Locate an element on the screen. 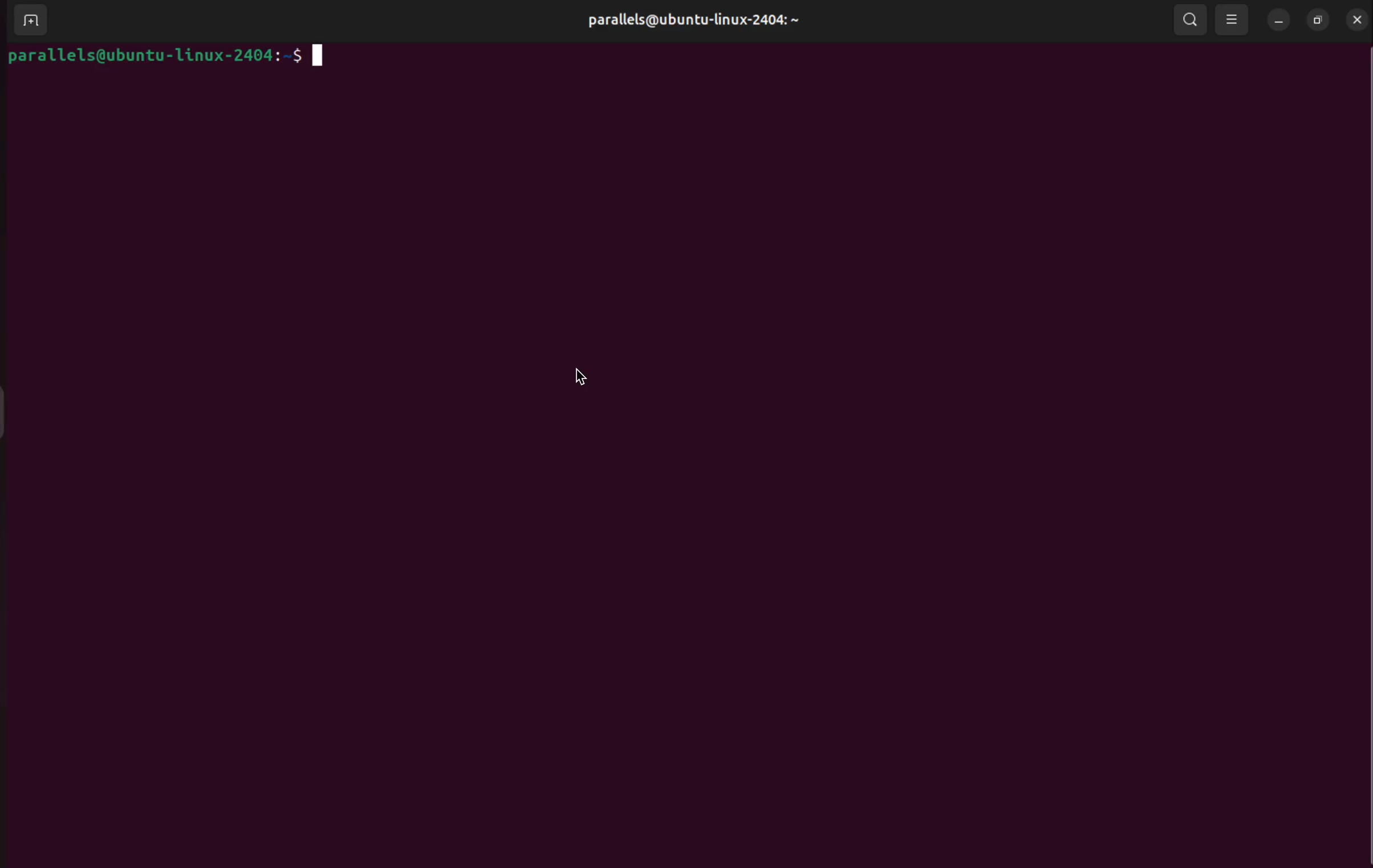 The width and height of the screenshot is (1373, 868). search is located at coordinates (1191, 19).